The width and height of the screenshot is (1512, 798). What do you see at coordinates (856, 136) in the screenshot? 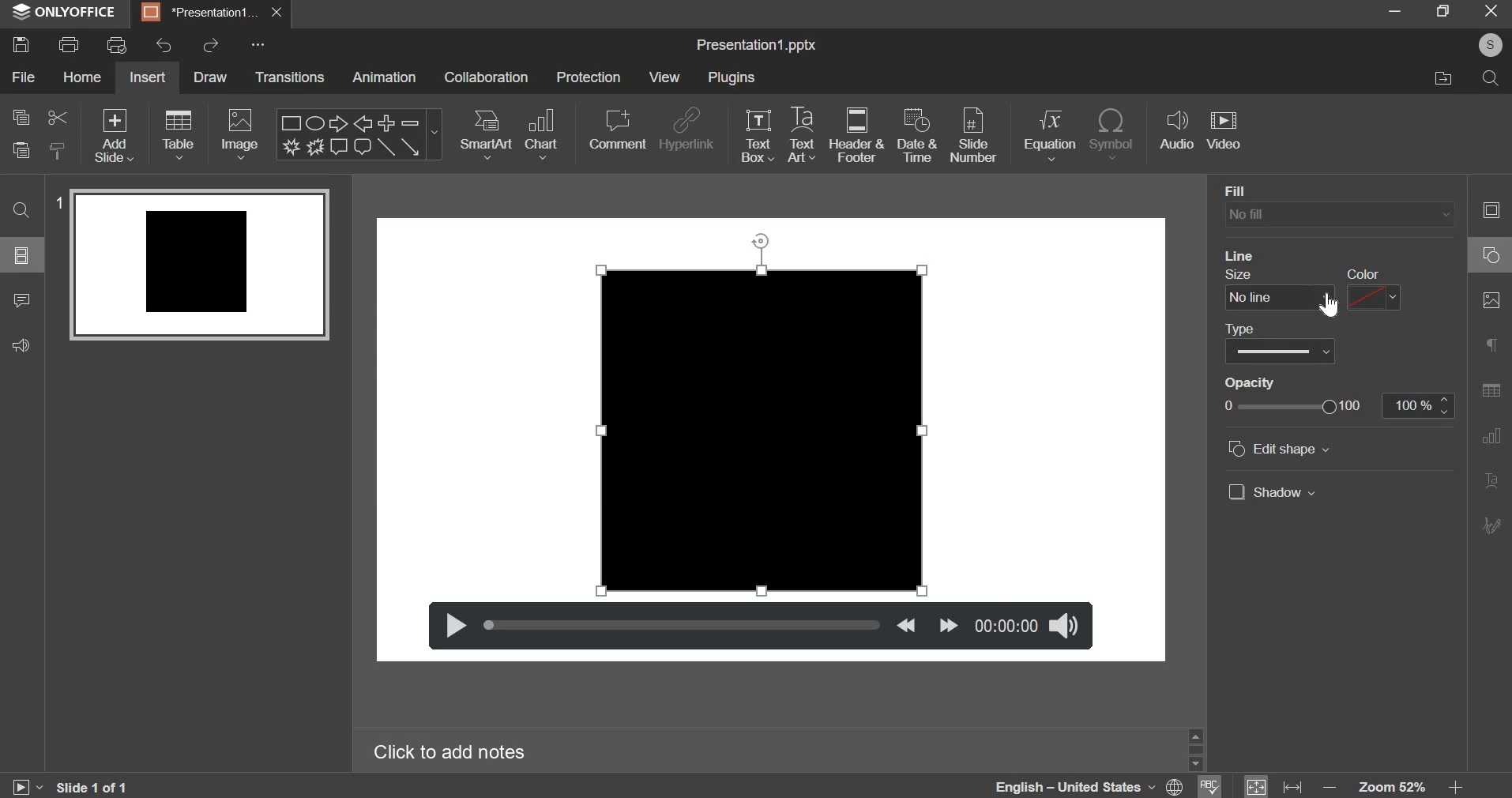
I see `header & footer` at bounding box center [856, 136].